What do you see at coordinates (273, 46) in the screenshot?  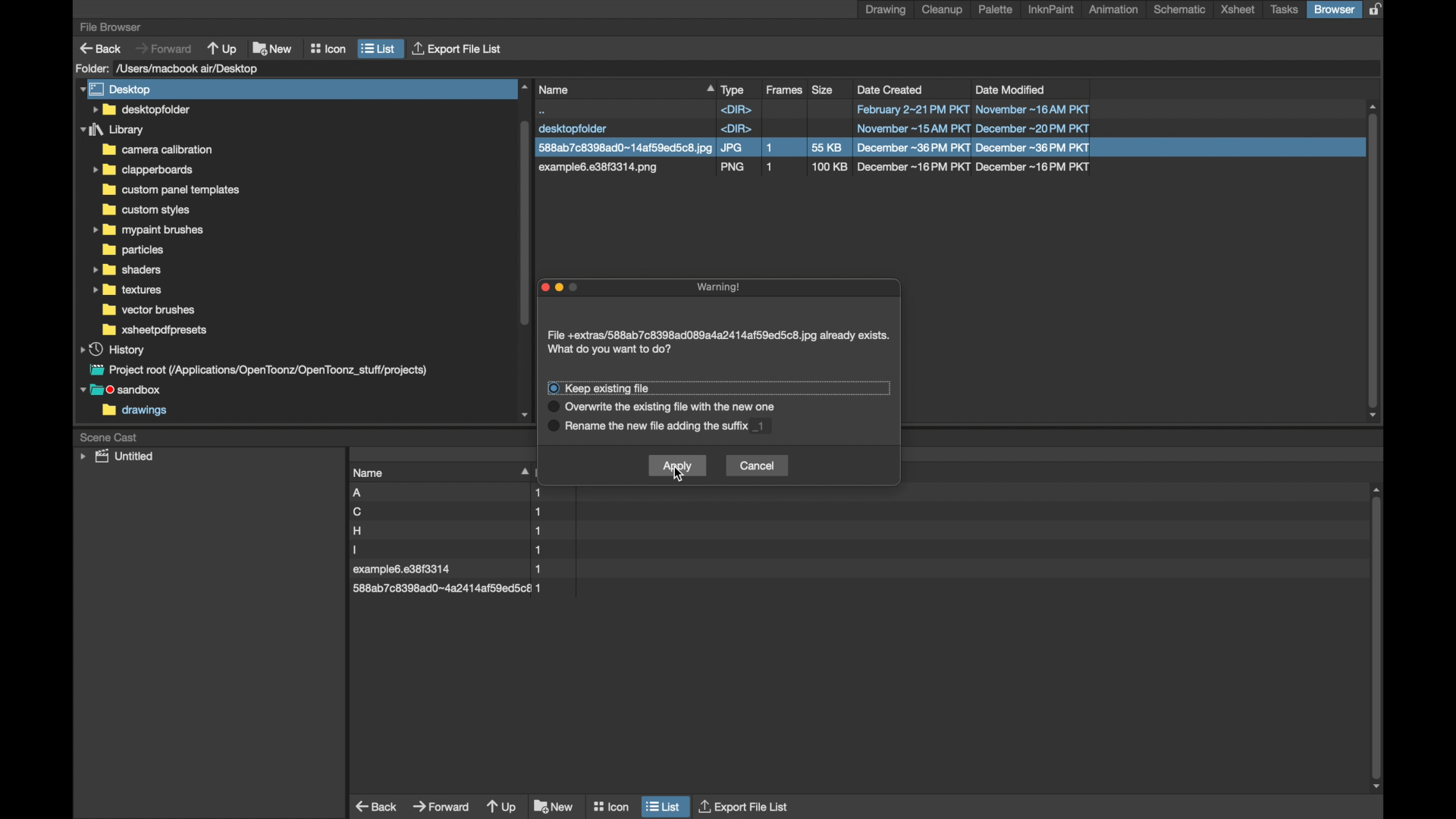 I see `new` at bounding box center [273, 46].